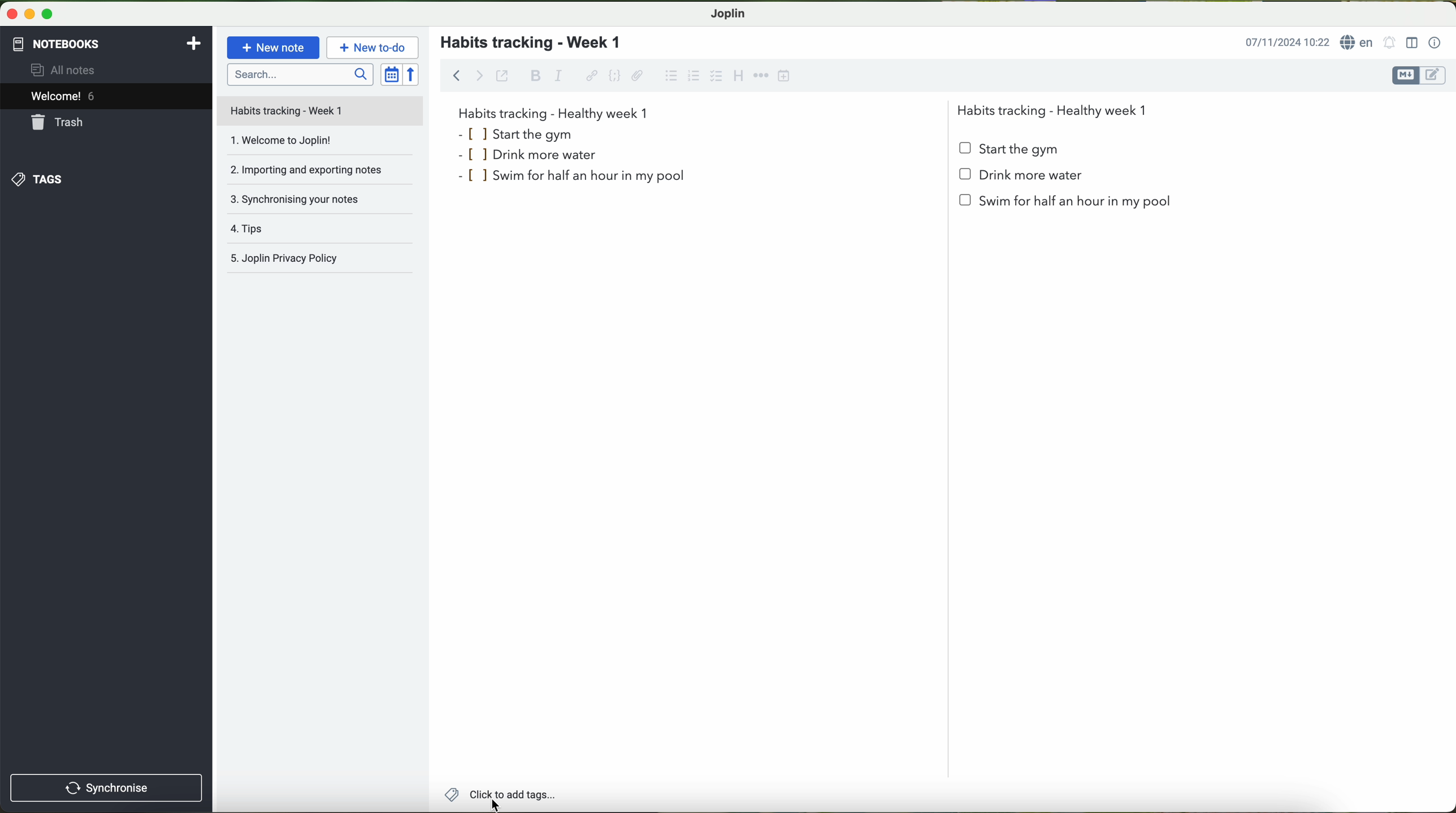 The width and height of the screenshot is (1456, 813). Describe the element at coordinates (784, 76) in the screenshot. I see `insert time` at that location.